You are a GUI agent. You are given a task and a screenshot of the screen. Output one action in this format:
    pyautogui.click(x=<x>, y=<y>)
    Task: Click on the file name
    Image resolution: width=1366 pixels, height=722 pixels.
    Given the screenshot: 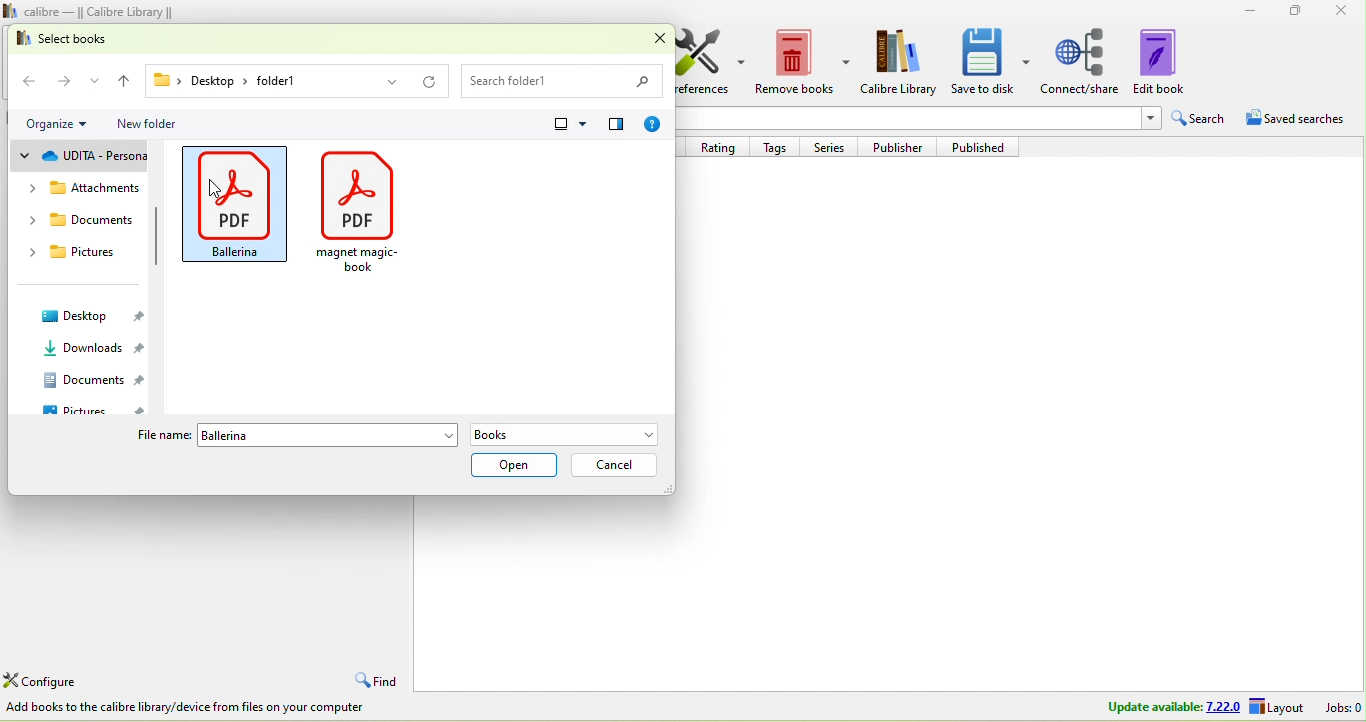 What is the action you would take?
    pyautogui.click(x=158, y=434)
    